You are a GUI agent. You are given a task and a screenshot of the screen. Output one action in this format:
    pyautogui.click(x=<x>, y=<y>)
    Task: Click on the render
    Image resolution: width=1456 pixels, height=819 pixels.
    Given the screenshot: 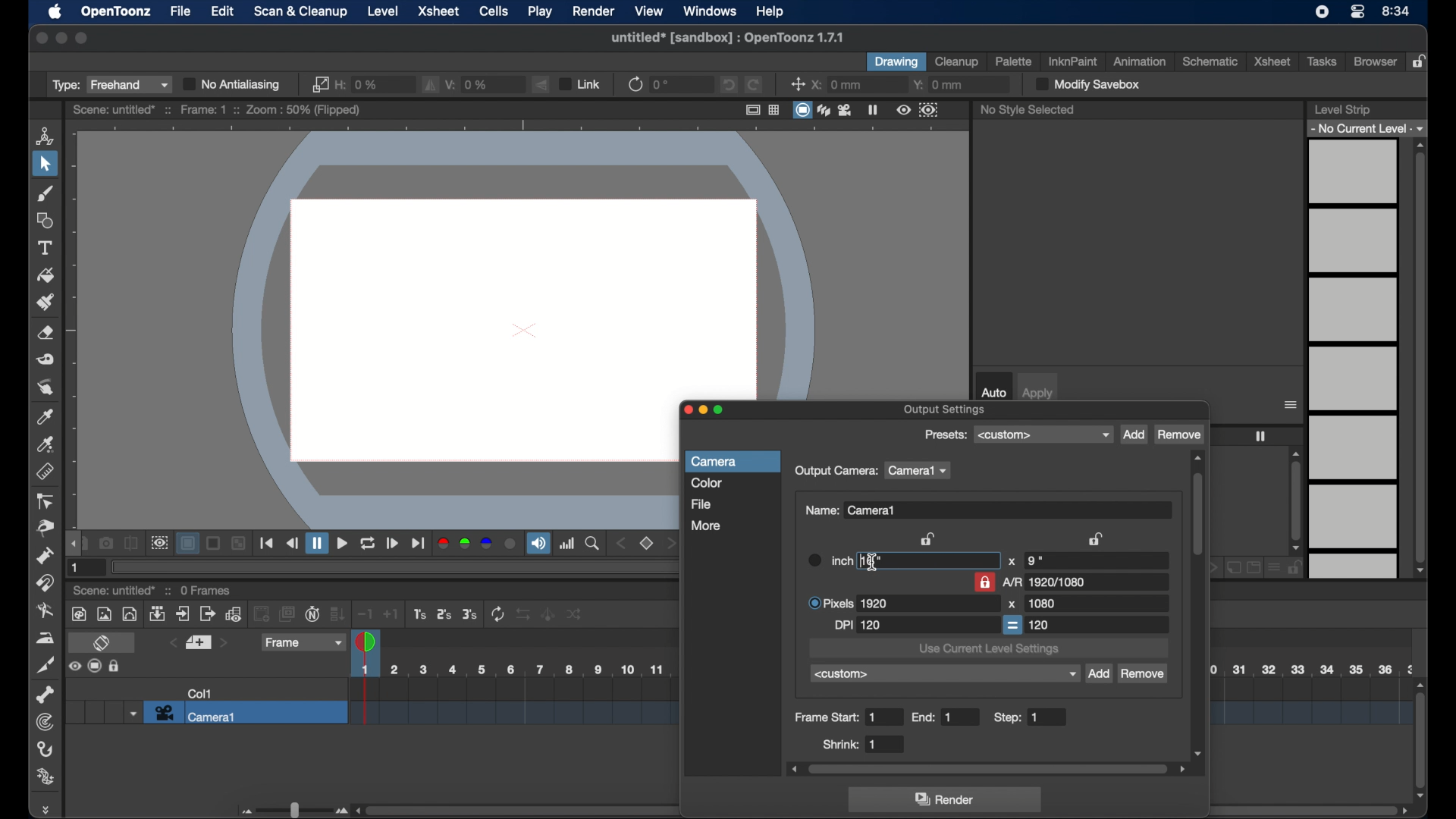 What is the action you would take?
    pyautogui.click(x=592, y=11)
    